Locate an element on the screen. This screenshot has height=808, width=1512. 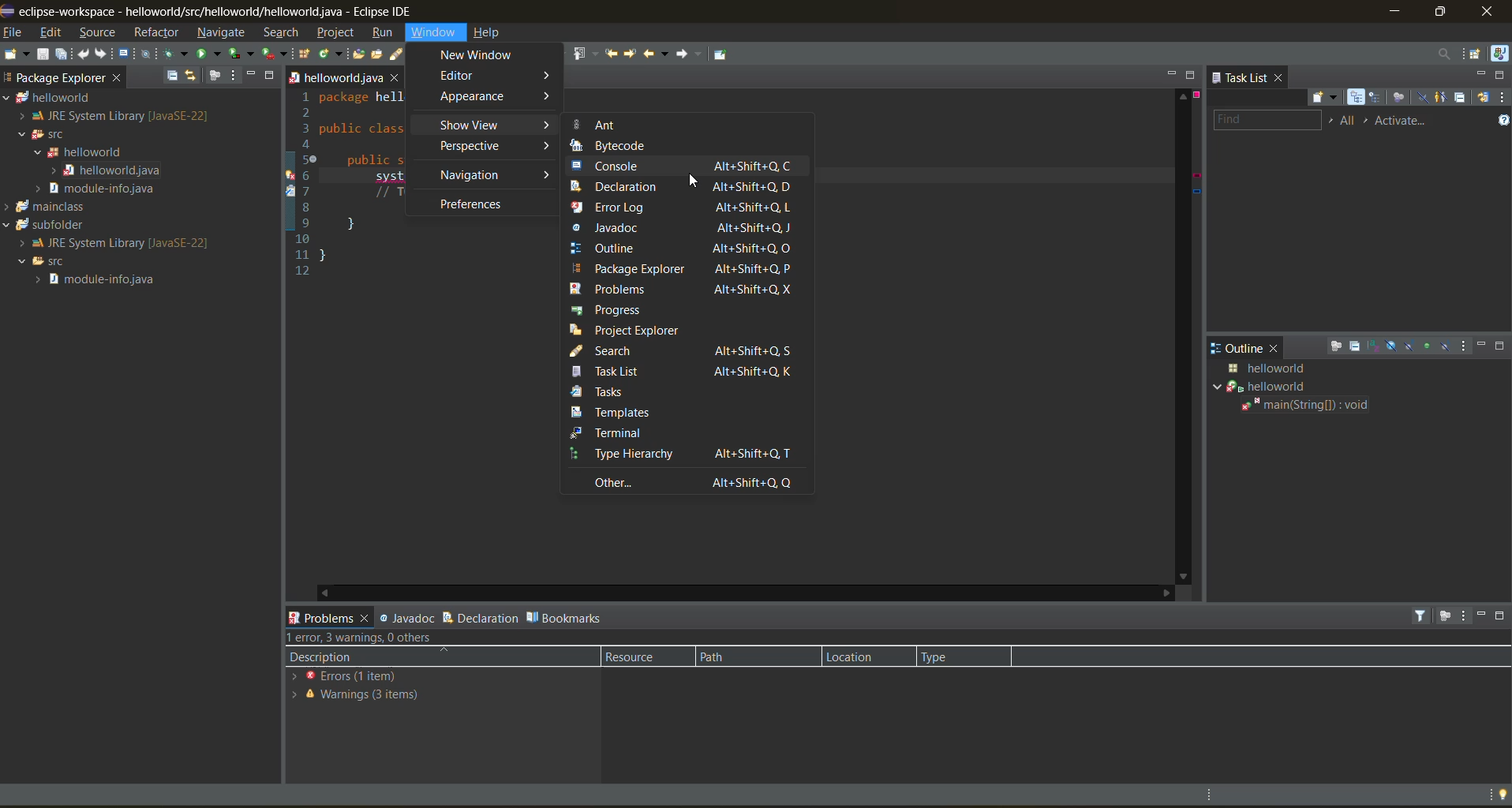
undo is located at coordinates (82, 56).